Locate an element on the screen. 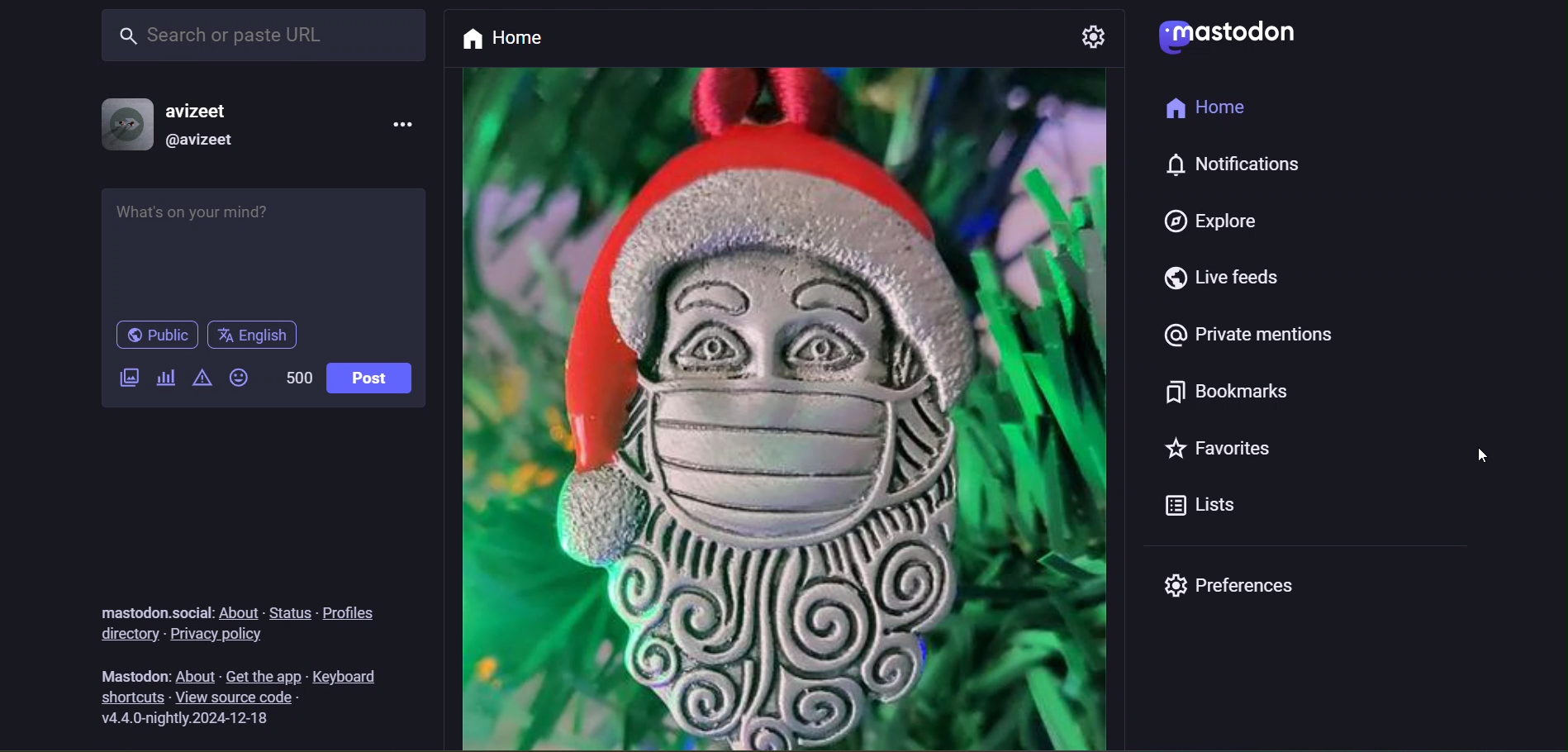 This screenshot has width=1568, height=752. home is located at coordinates (509, 36).